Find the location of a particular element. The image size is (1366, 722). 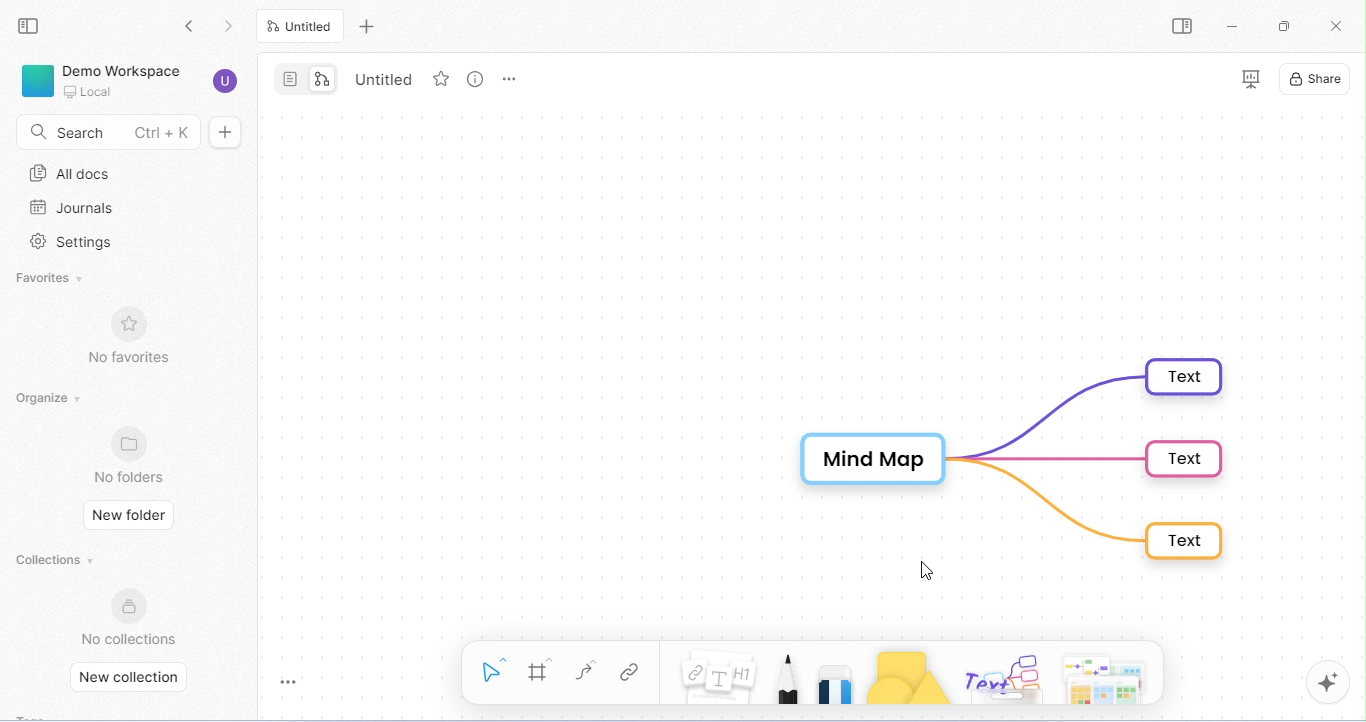

presentation is located at coordinates (1246, 79).